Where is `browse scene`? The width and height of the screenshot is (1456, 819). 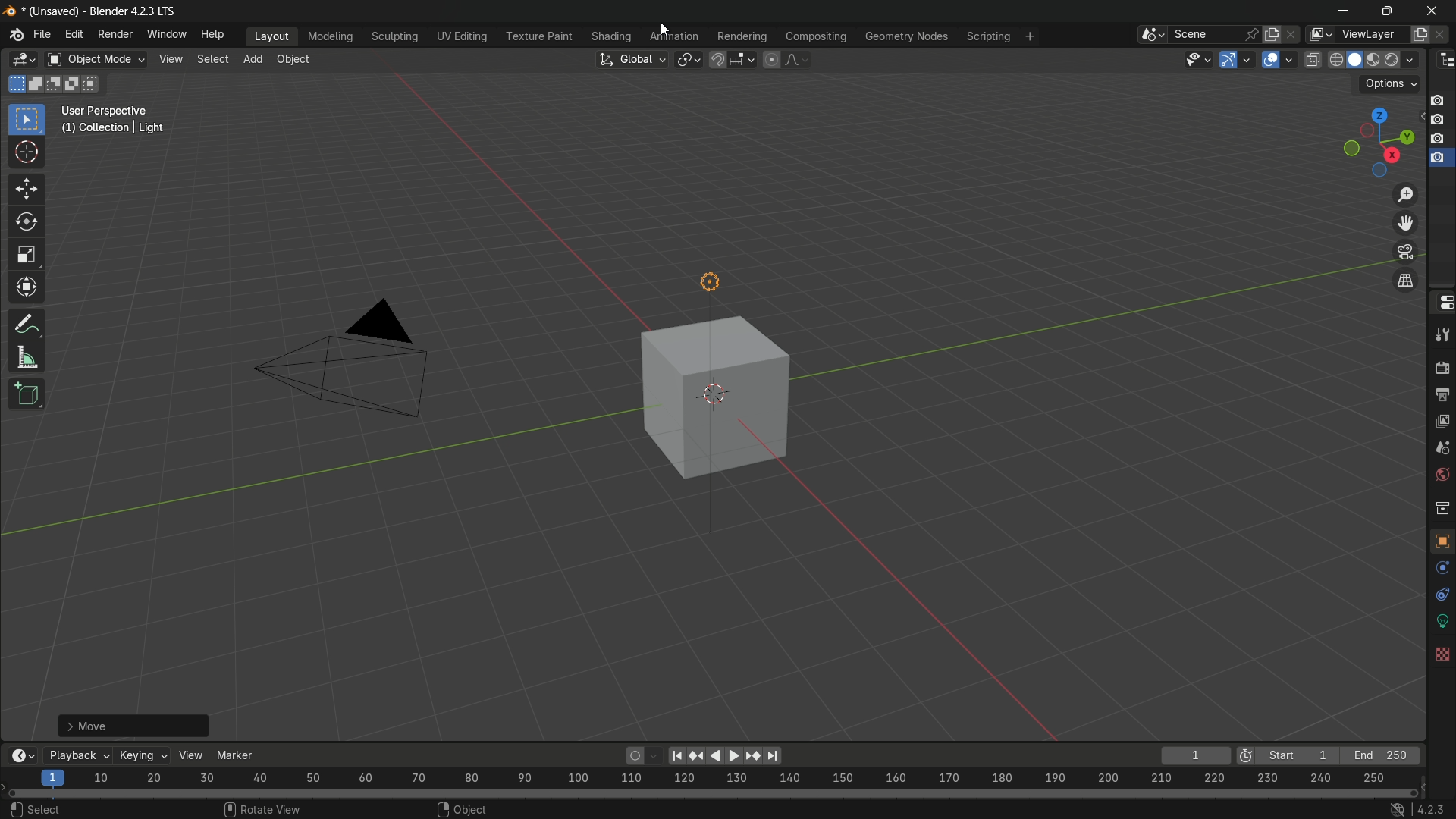
browse scene is located at coordinates (1153, 36).